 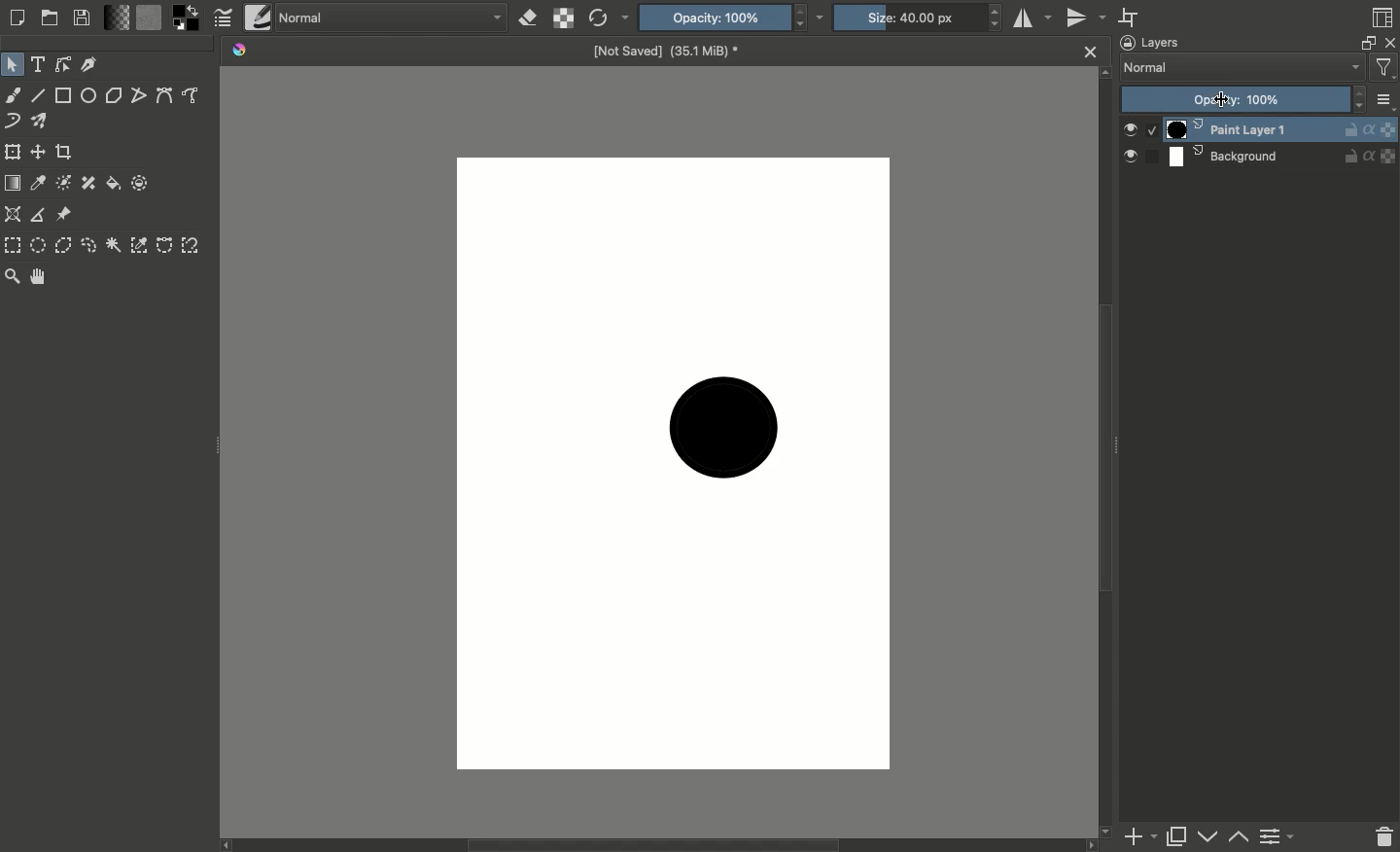 What do you see at coordinates (721, 428) in the screenshot?
I see `Shape` at bounding box center [721, 428].